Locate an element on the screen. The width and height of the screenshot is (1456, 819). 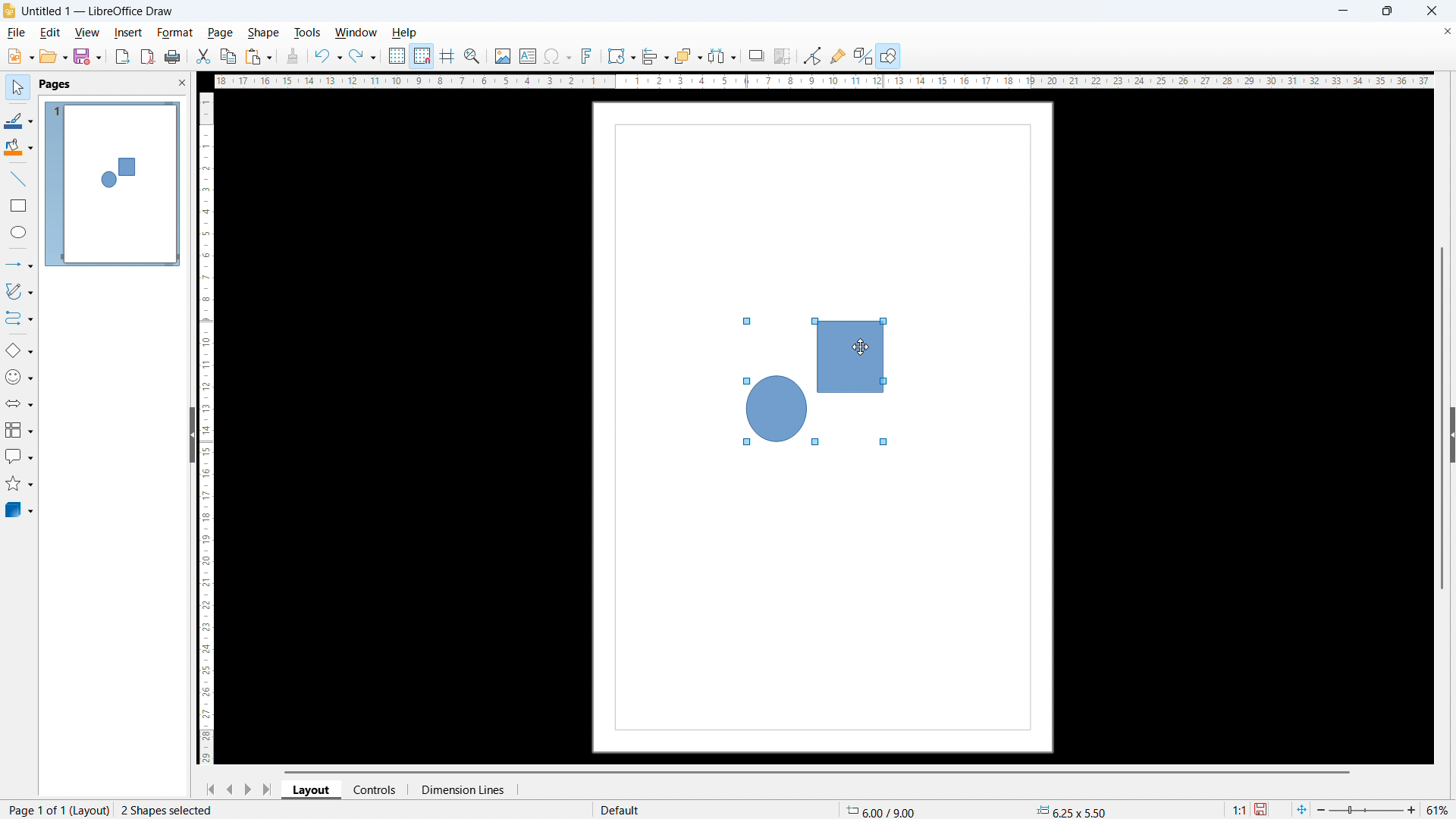
close pane is located at coordinates (181, 83).